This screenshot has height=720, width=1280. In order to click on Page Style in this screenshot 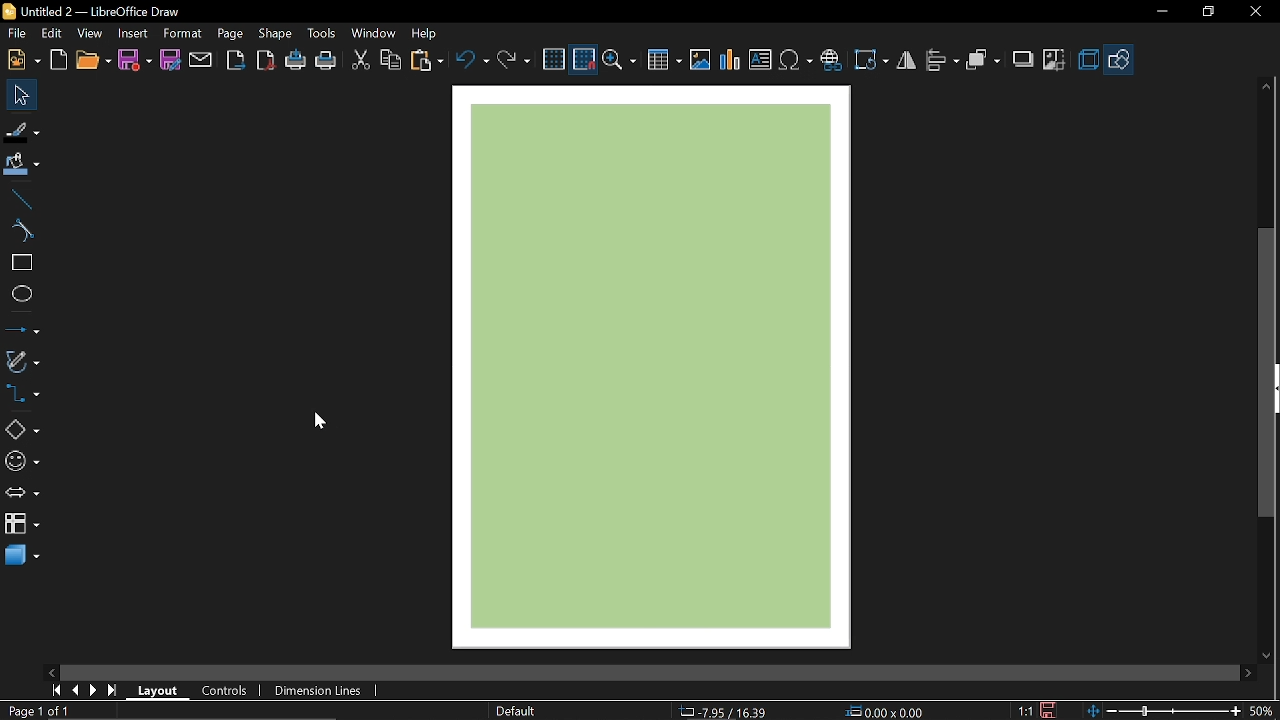, I will do `click(518, 711)`.